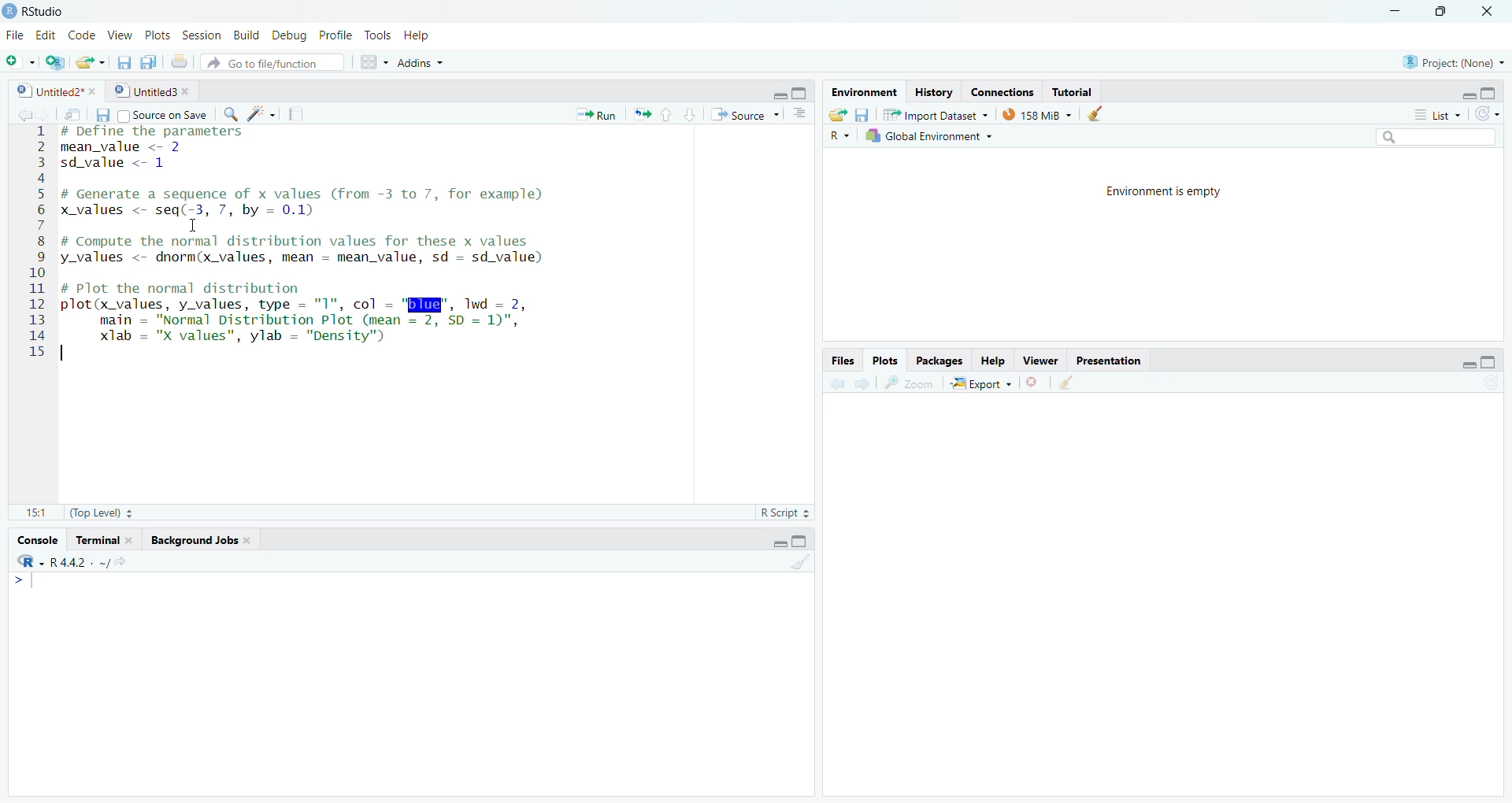  What do you see at coordinates (935, 114) in the screenshot?
I see `“Import Dataset ~` at bounding box center [935, 114].